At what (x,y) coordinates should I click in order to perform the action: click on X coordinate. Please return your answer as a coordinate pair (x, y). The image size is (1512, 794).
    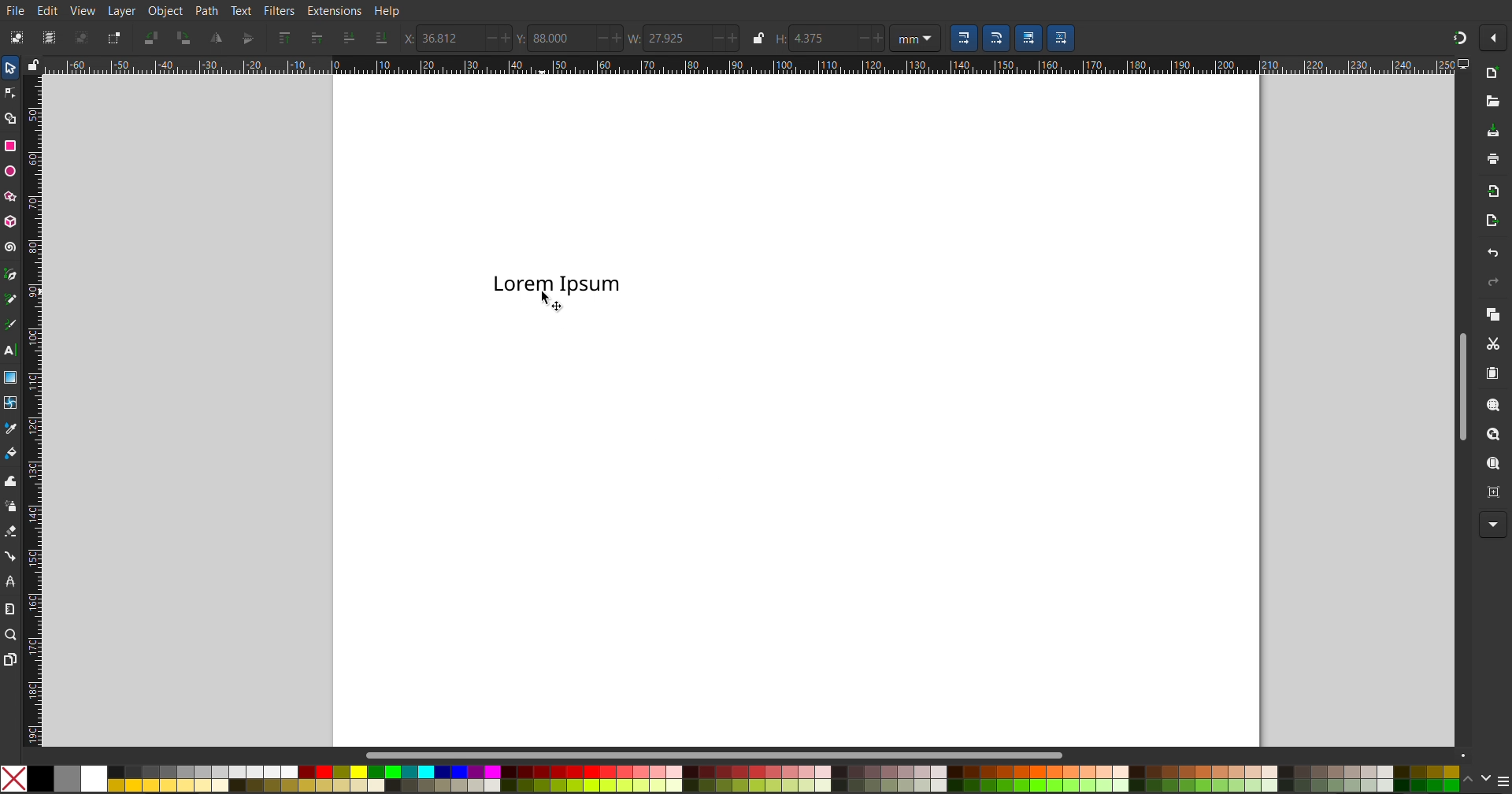
    Looking at the image, I should click on (458, 38).